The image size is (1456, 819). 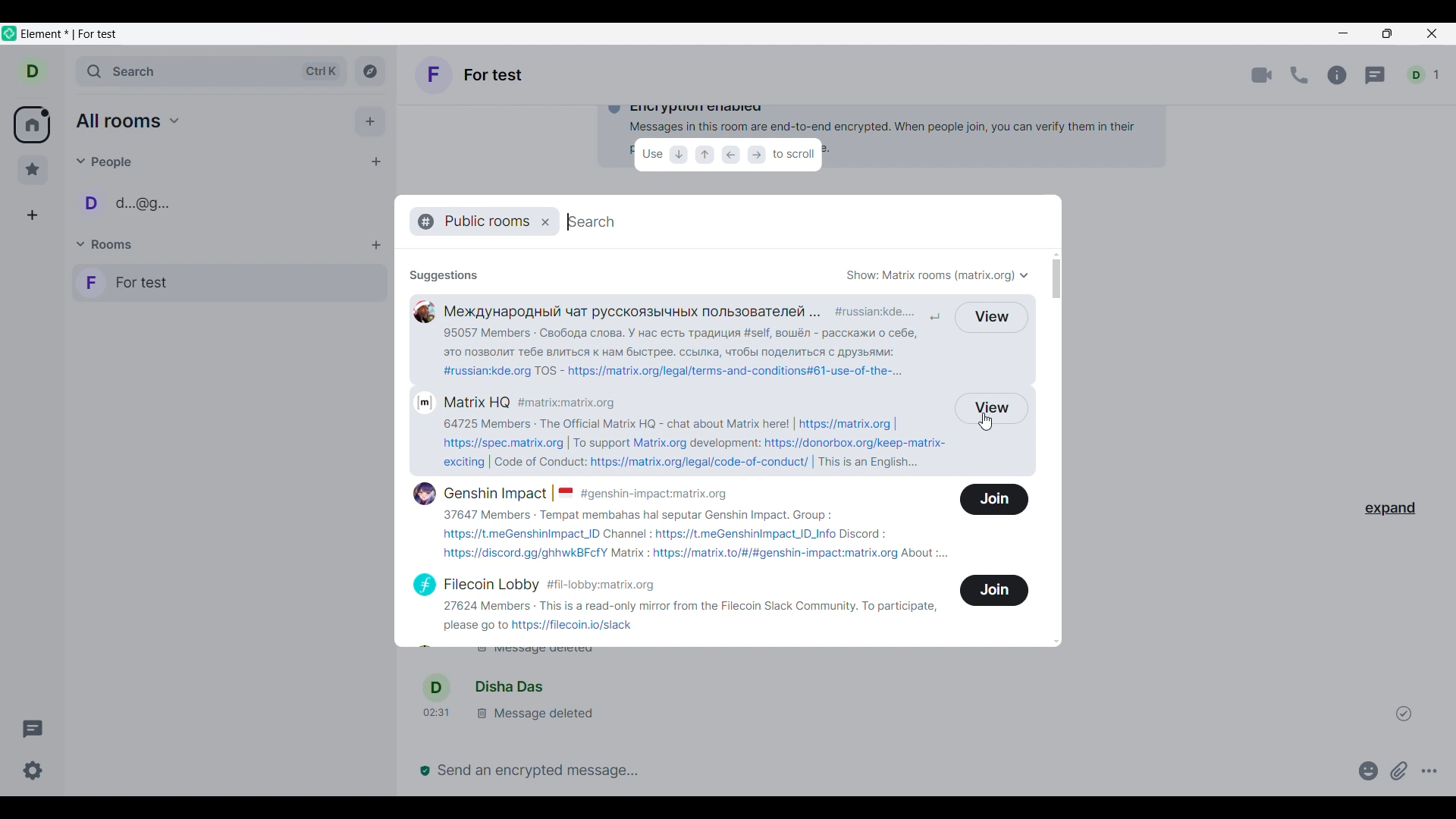 What do you see at coordinates (377, 162) in the screenshot?
I see `Start chat` at bounding box center [377, 162].